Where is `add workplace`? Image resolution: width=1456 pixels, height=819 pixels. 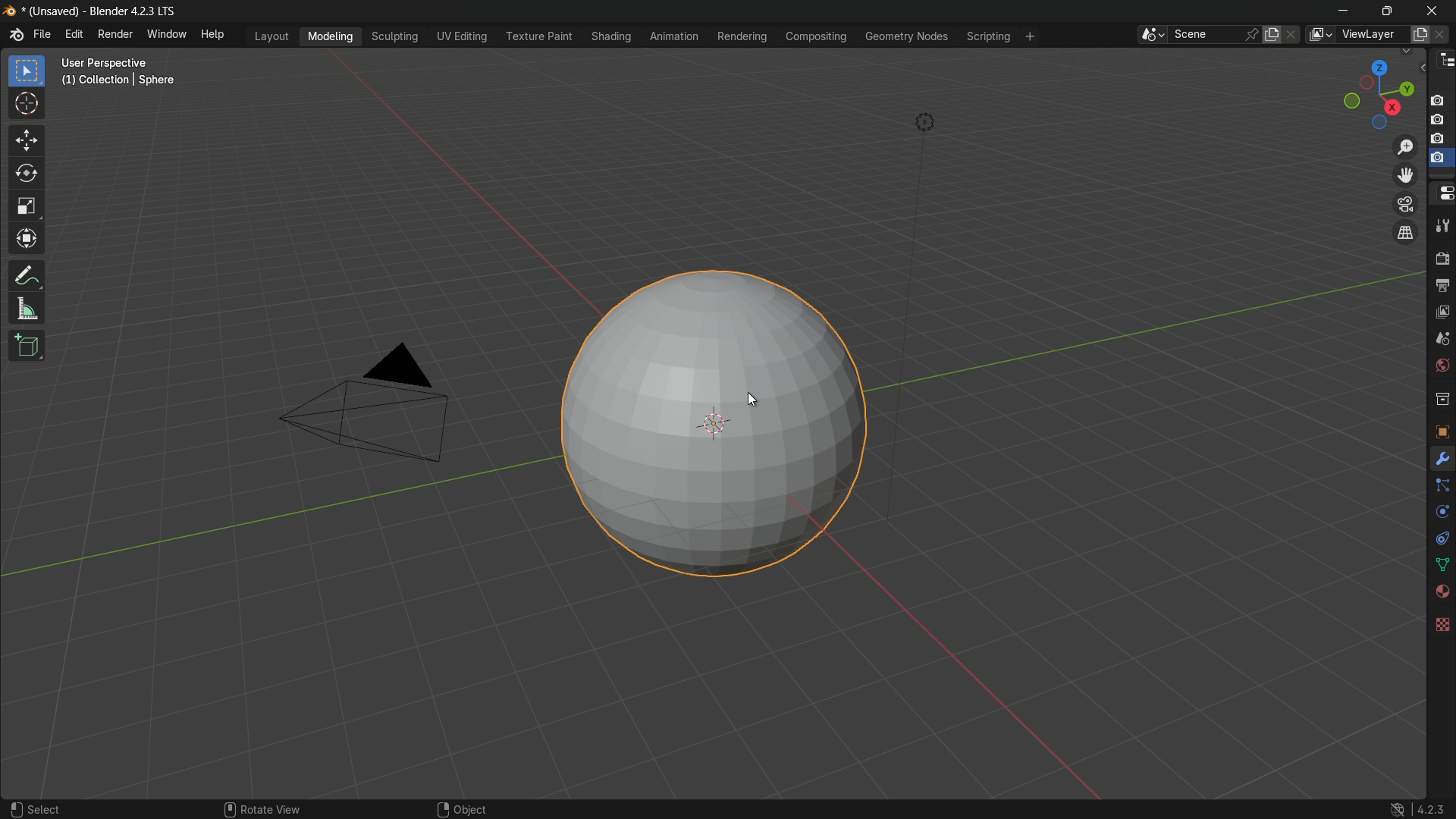 add workplace is located at coordinates (1028, 36).